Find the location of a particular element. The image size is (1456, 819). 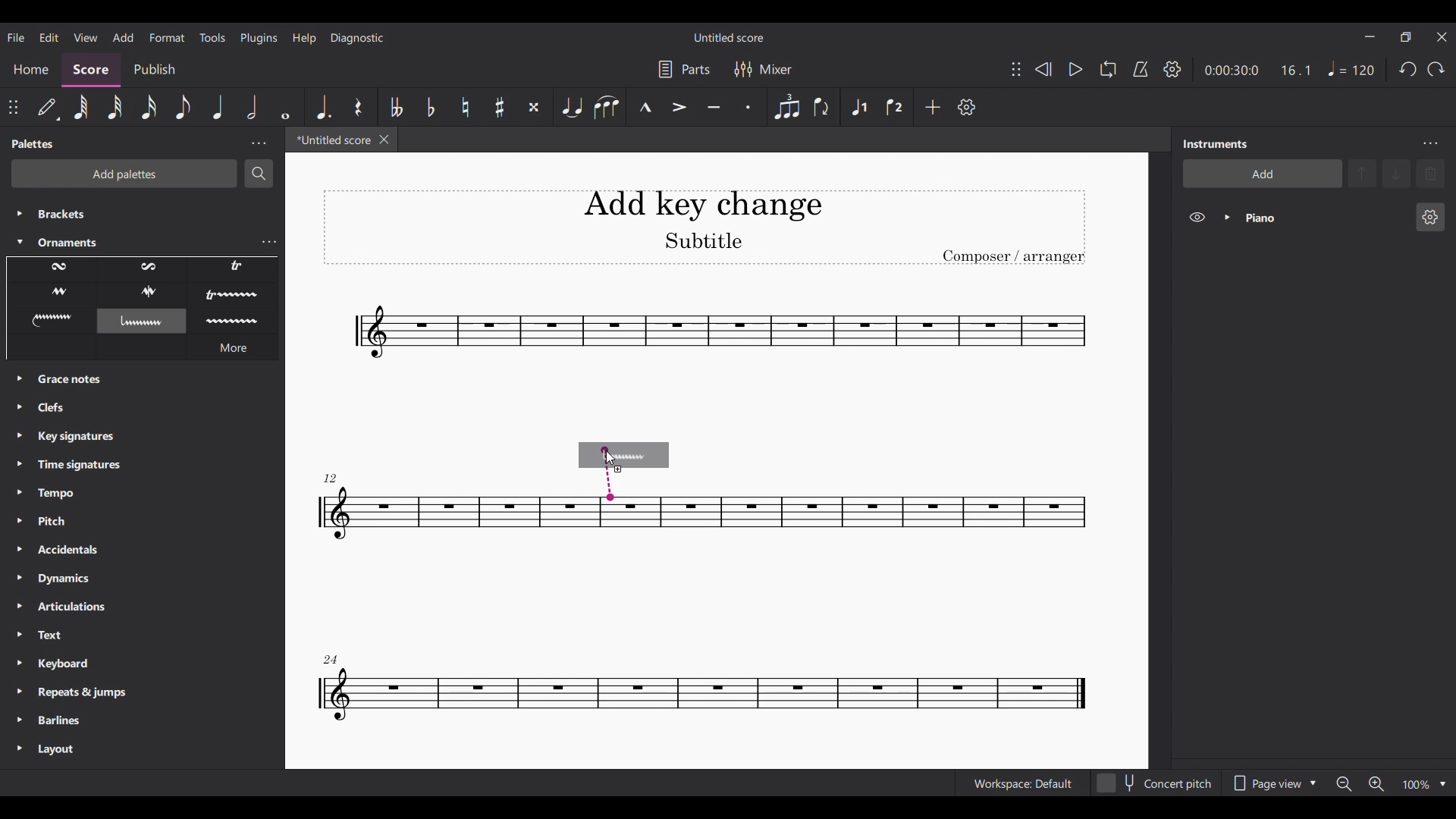

Minimize is located at coordinates (1370, 36).